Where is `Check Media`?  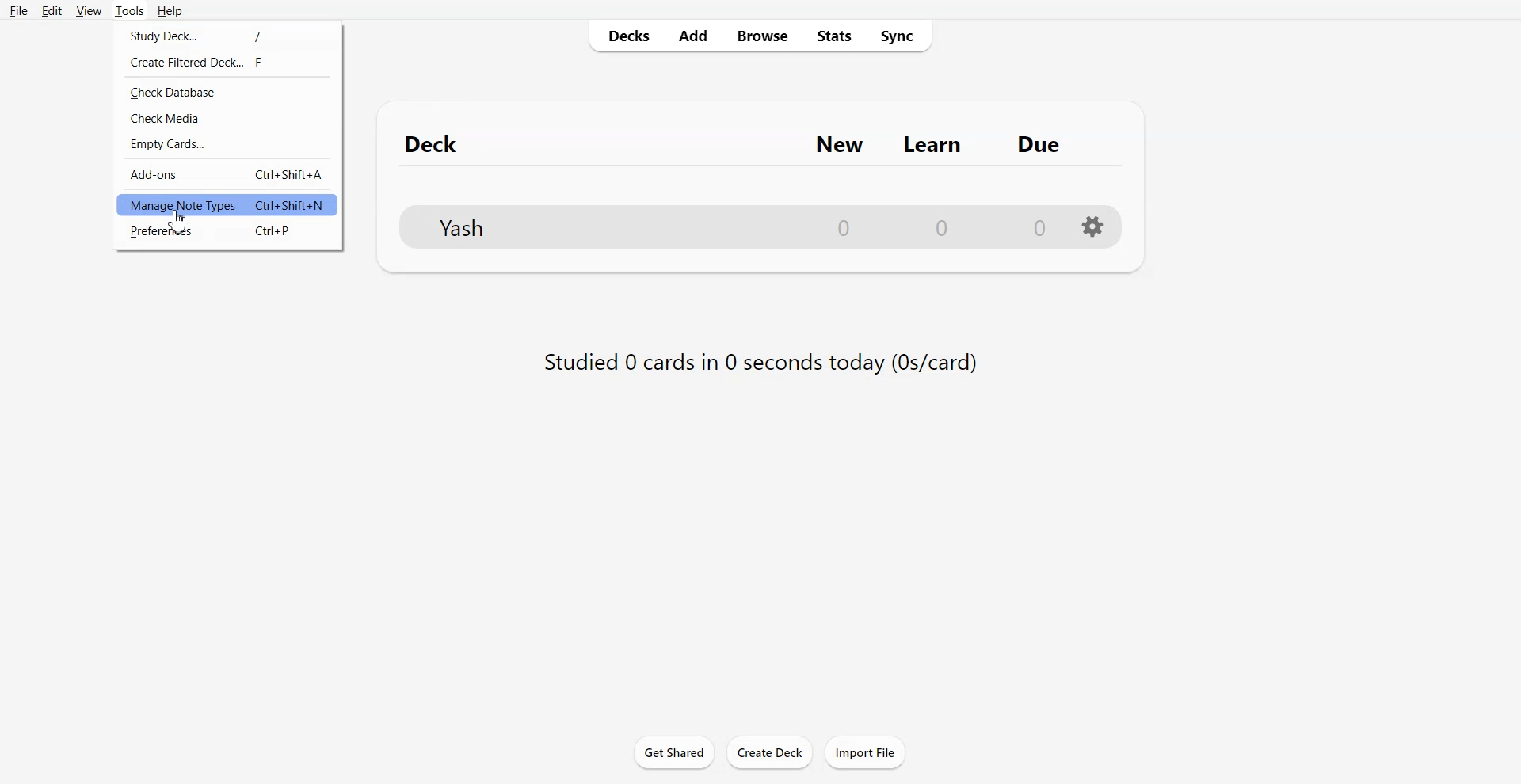 Check Media is located at coordinates (227, 117).